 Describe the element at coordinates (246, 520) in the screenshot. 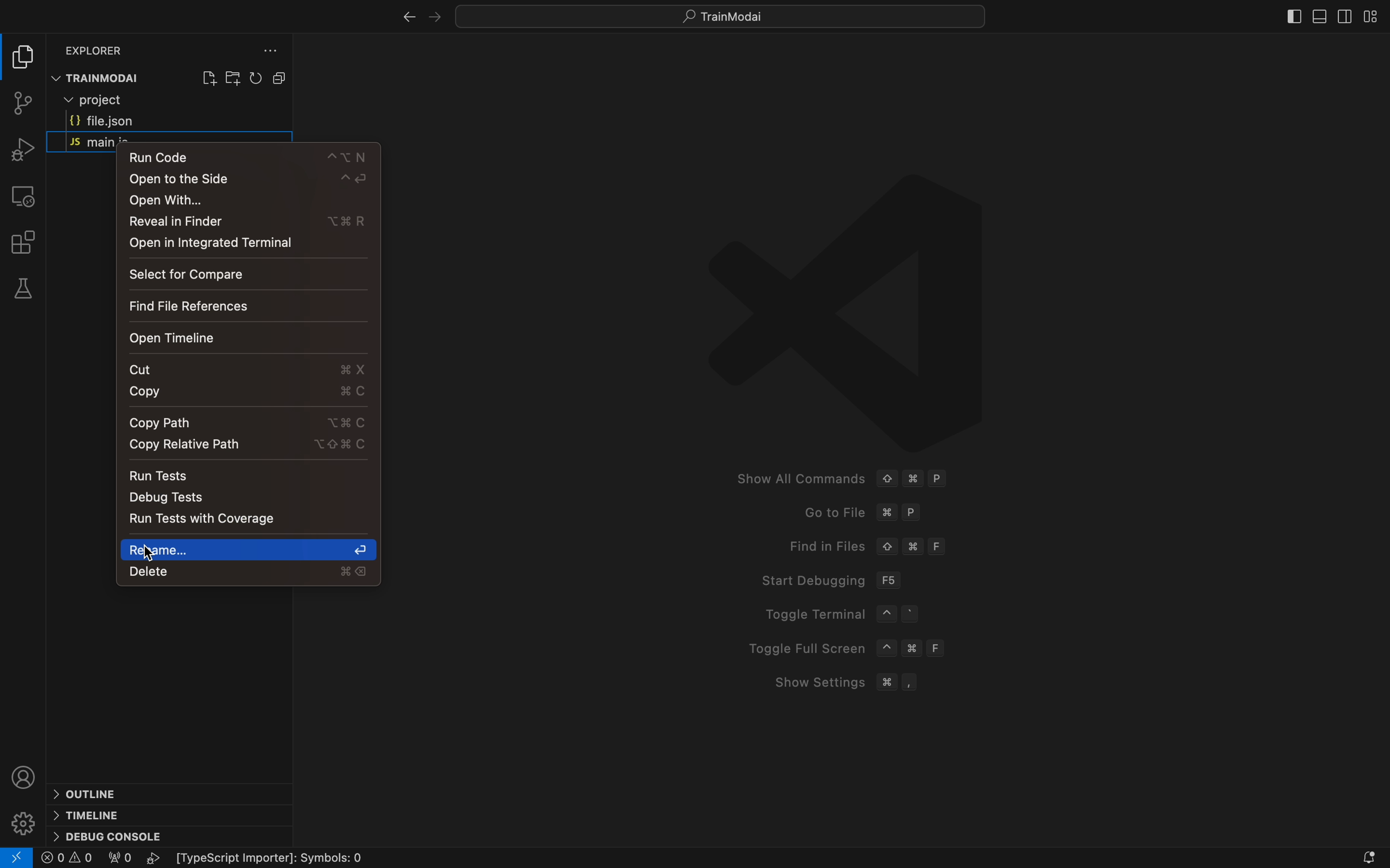

I see `tests runner` at that location.